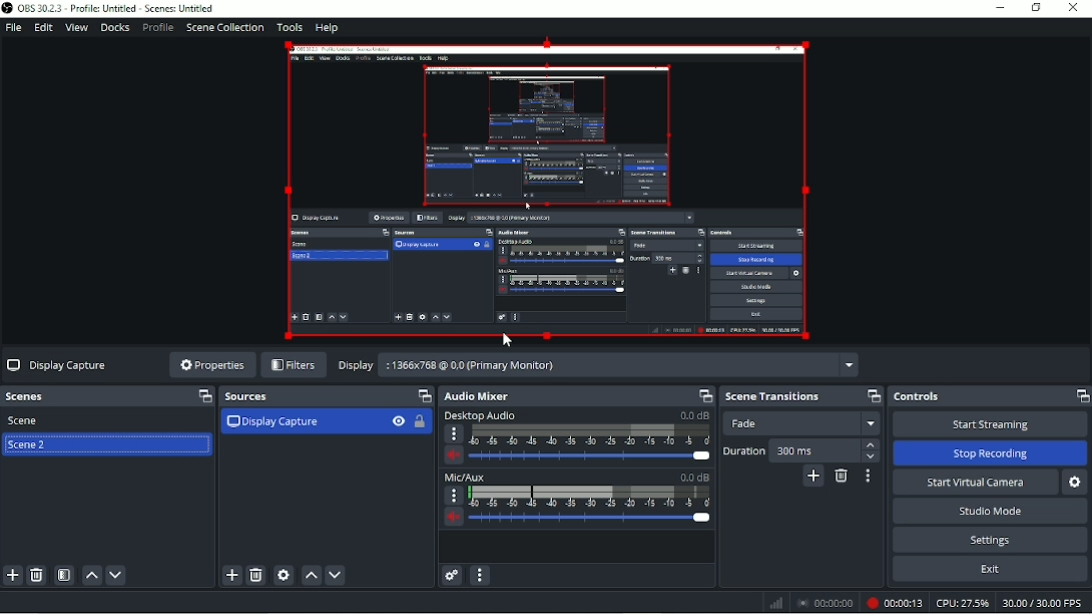 This screenshot has width=1092, height=614. I want to click on CPU: 20.8%, so click(962, 603).